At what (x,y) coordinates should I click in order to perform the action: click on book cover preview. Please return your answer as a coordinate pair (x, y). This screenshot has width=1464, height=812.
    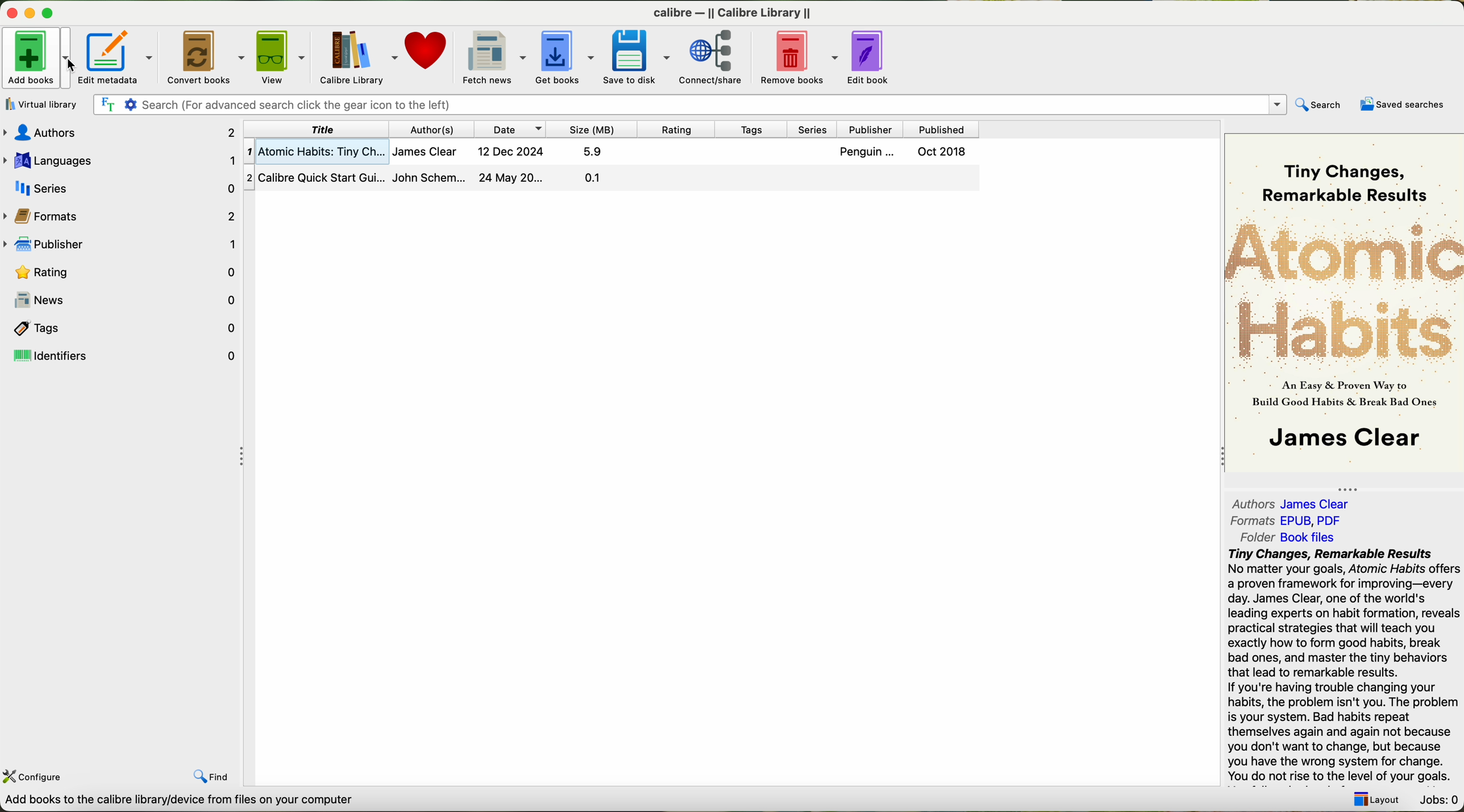
    Looking at the image, I should click on (1345, 302).